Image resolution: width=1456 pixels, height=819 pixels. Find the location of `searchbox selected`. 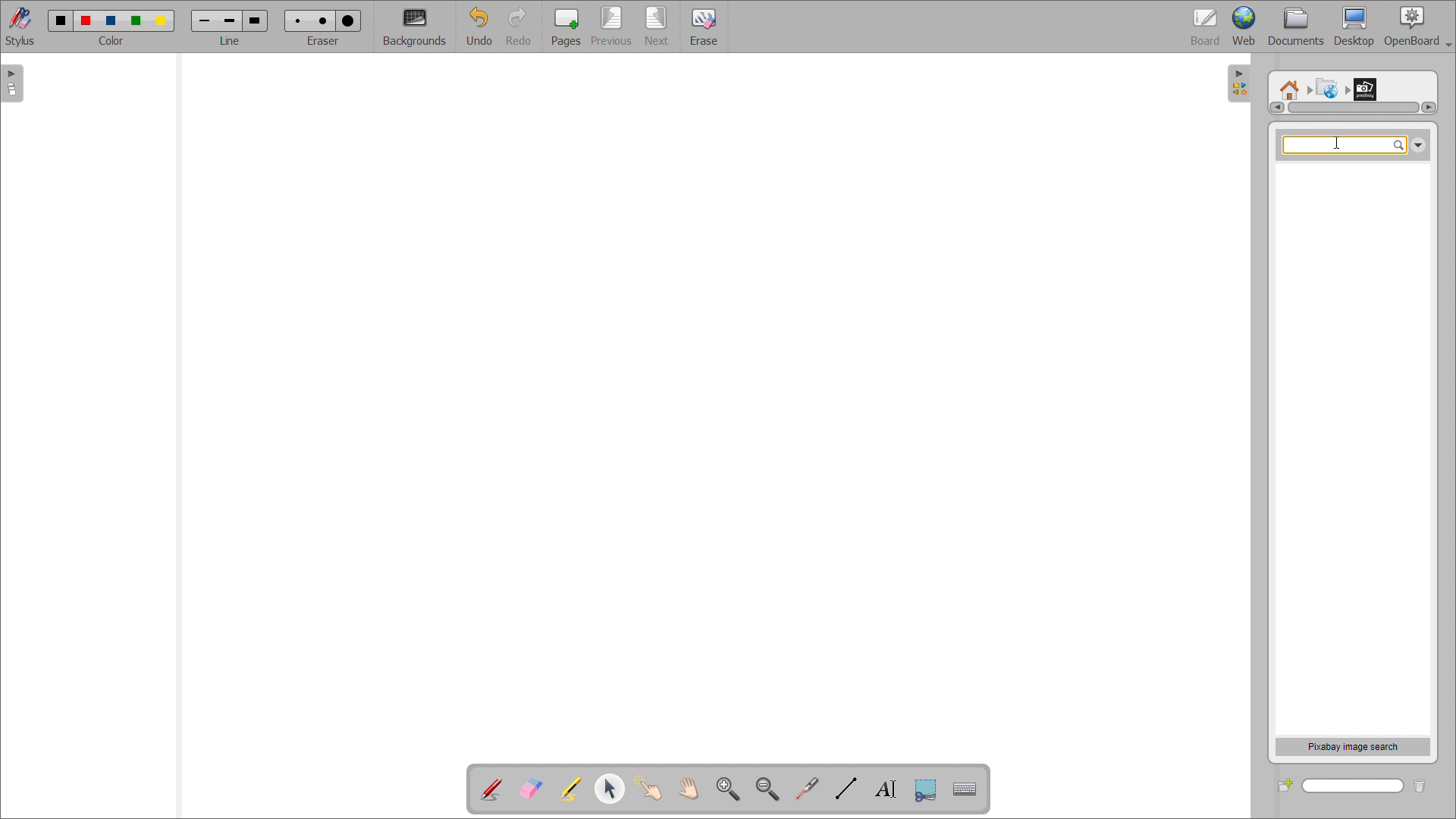

searchbox selected is located at coordinates (1341, 143).